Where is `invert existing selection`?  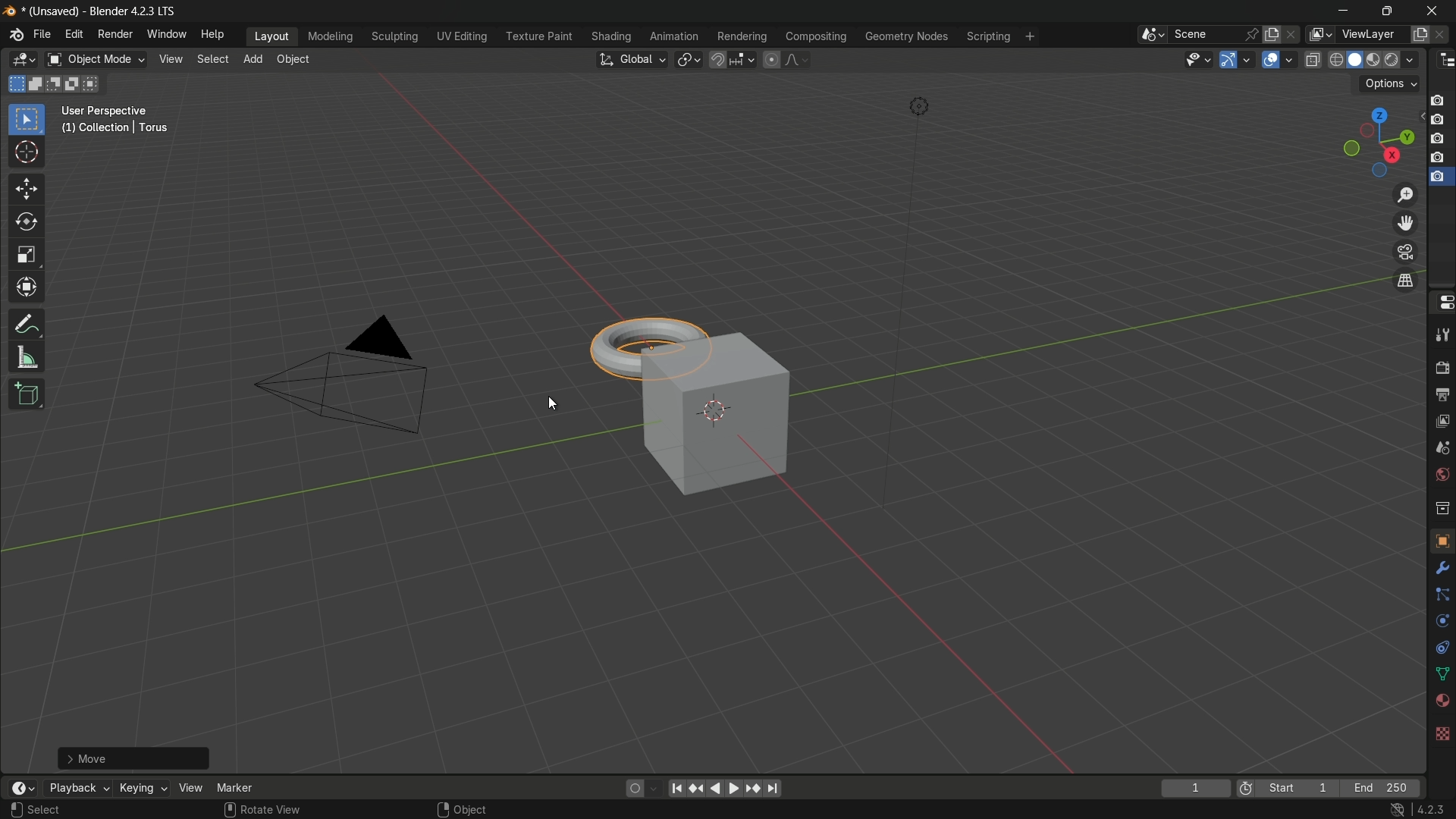
invert existing selection is located at coordinates (76, 84).